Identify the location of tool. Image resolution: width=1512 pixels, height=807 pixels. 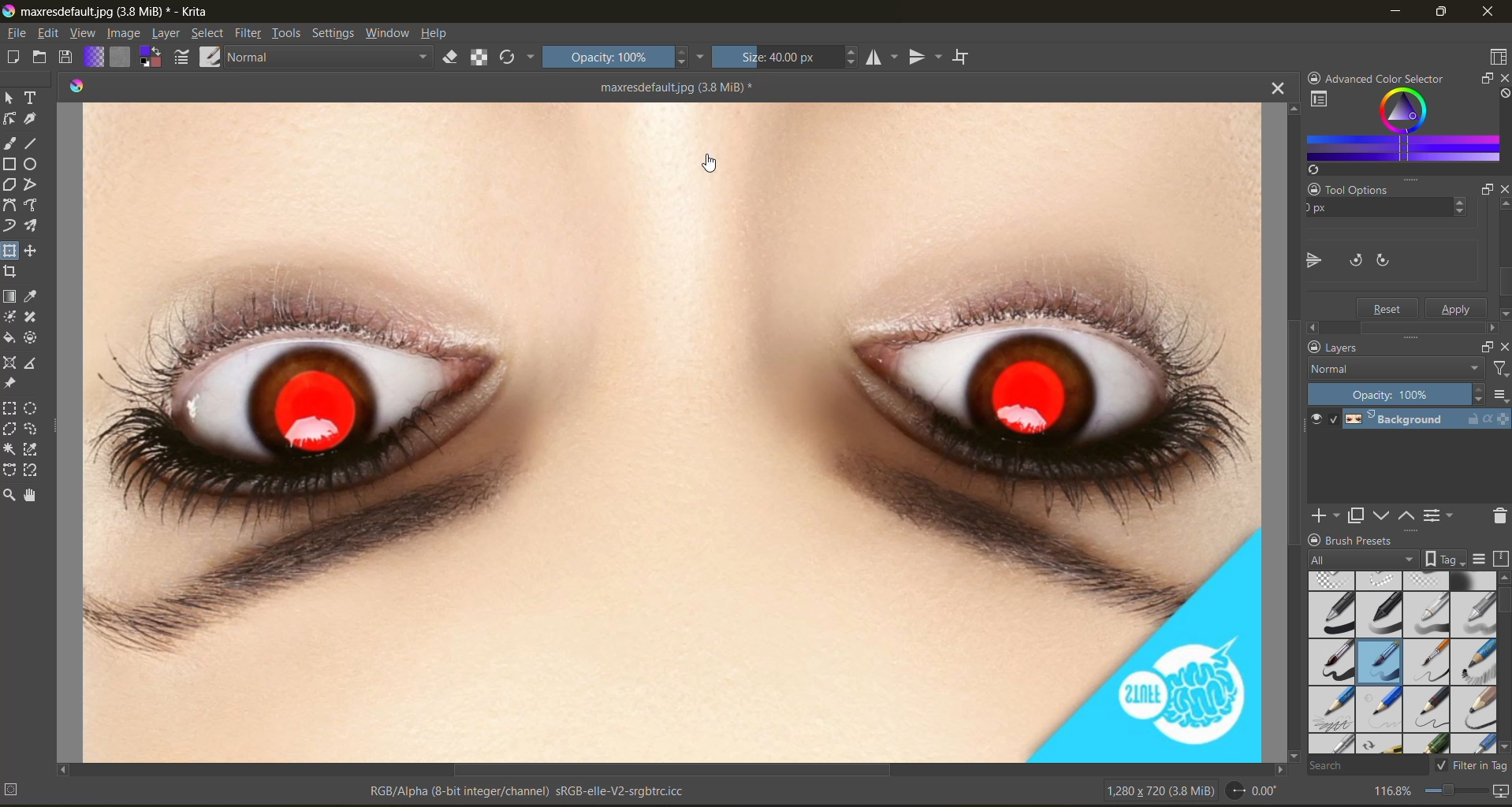
(32, 318).